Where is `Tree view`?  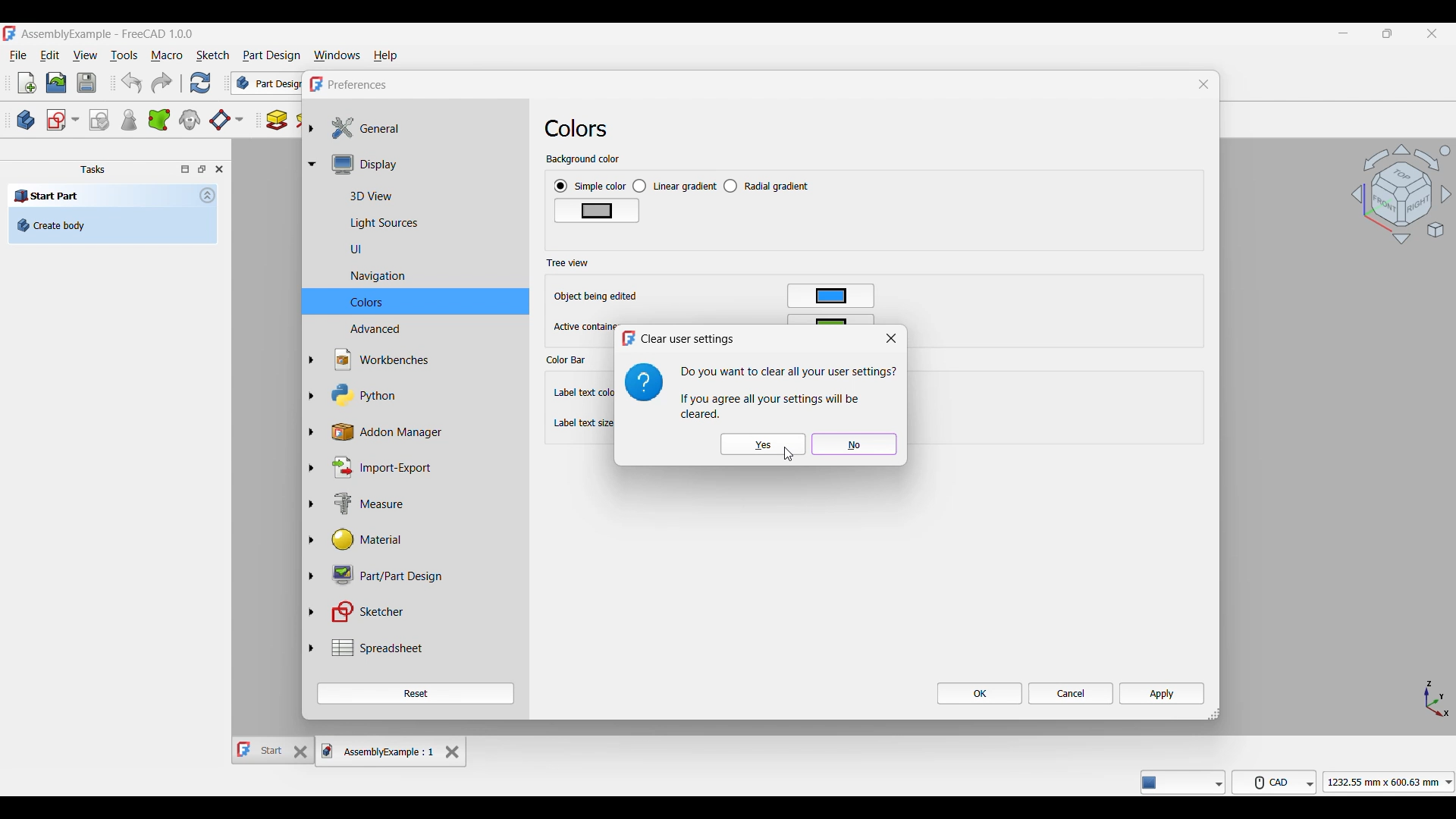 Tree view is located at coordinates (568, 263).